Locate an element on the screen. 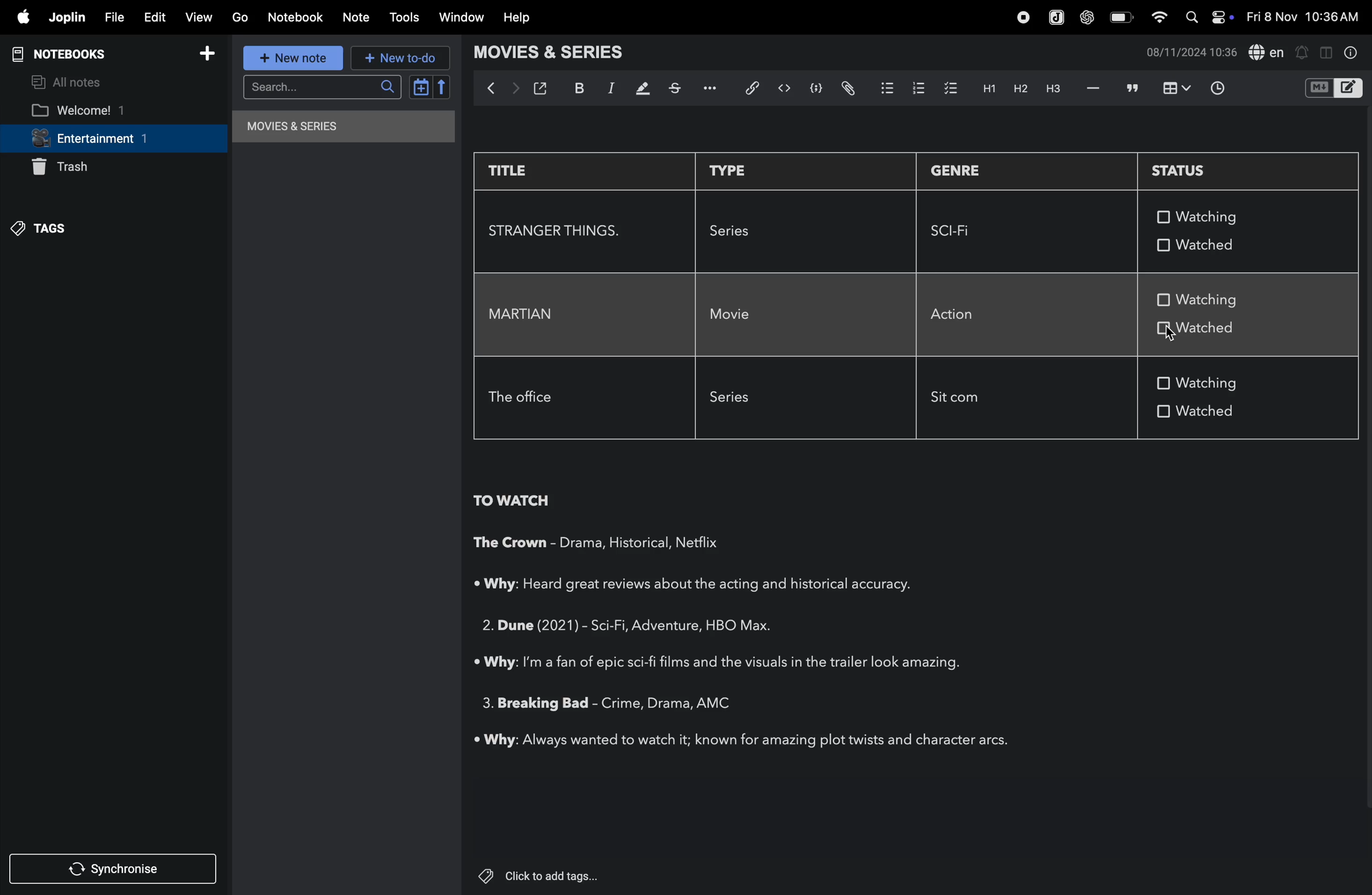  all notes is located at coordinates (71, 81).